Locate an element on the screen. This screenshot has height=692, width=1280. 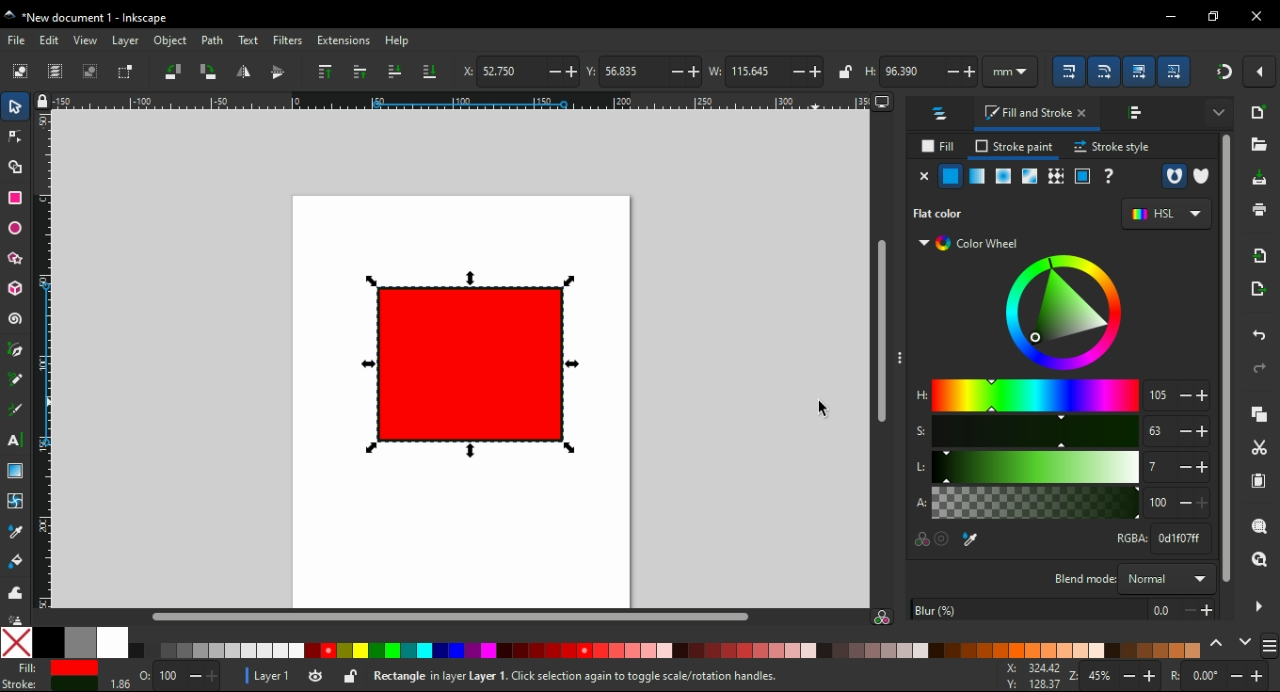
paste is located at coordinates (1259, 481).